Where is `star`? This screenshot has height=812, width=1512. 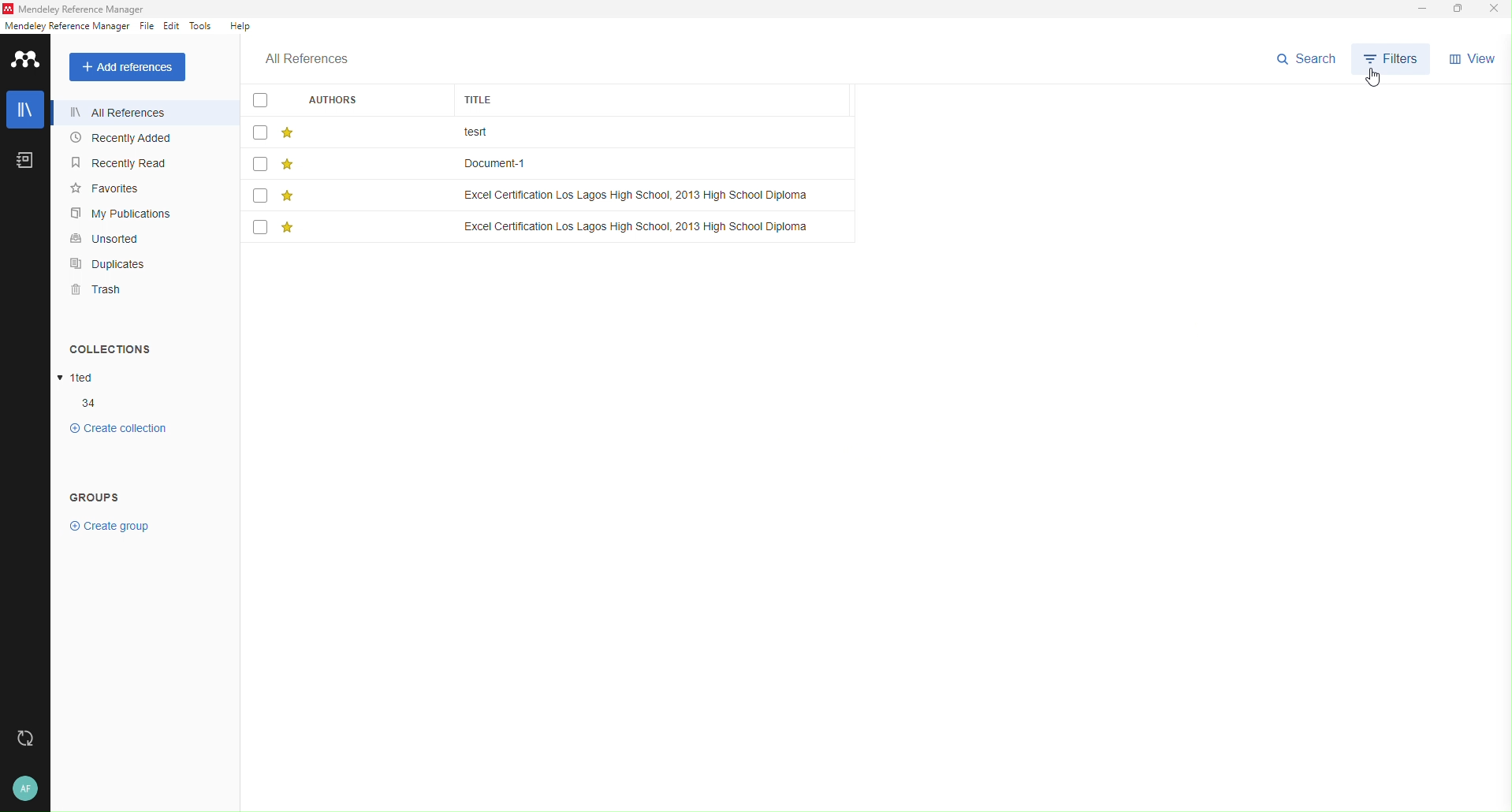 star is located at coordinates (288, 132).